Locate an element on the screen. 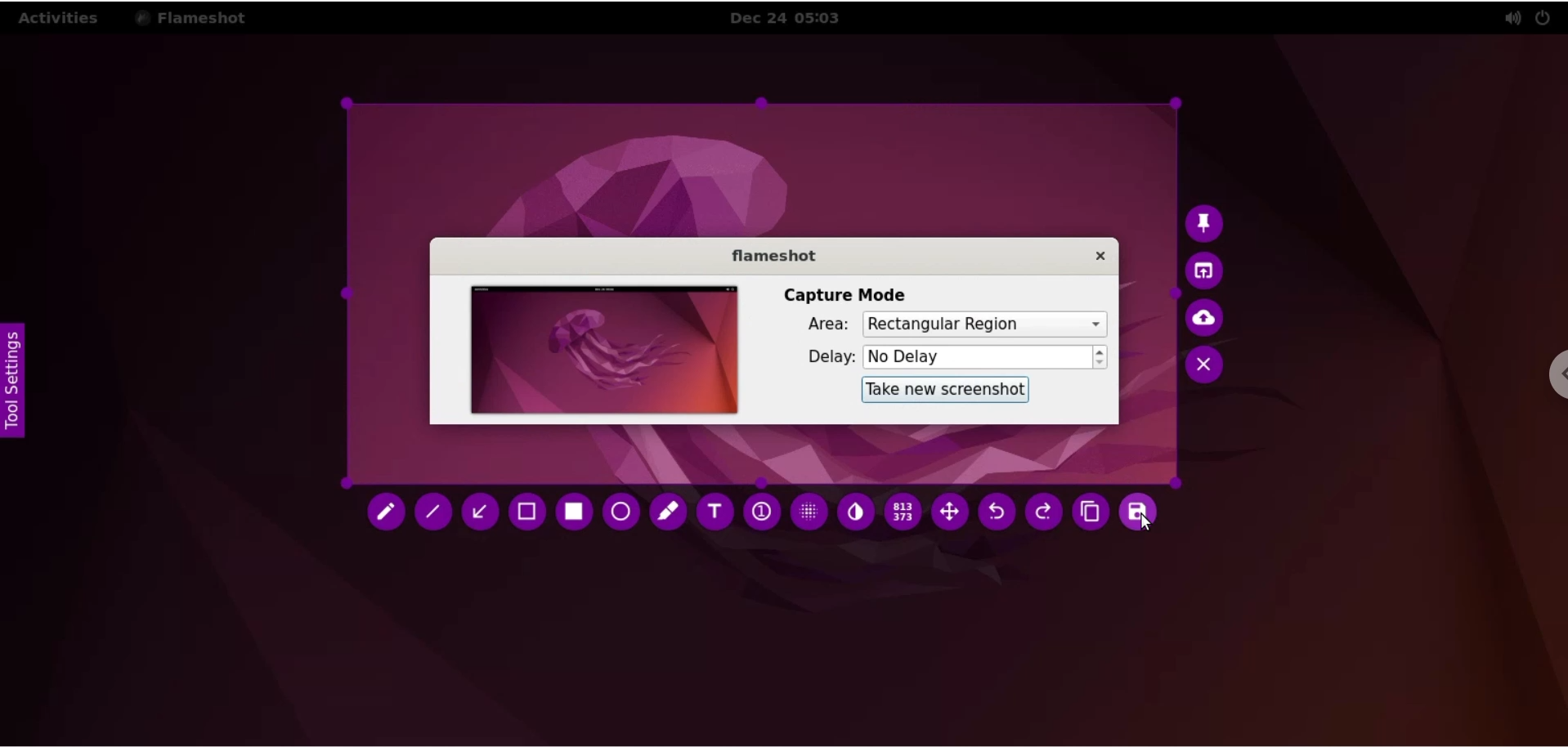  Dec 24 05:03 is located at coordinates (792, 18).